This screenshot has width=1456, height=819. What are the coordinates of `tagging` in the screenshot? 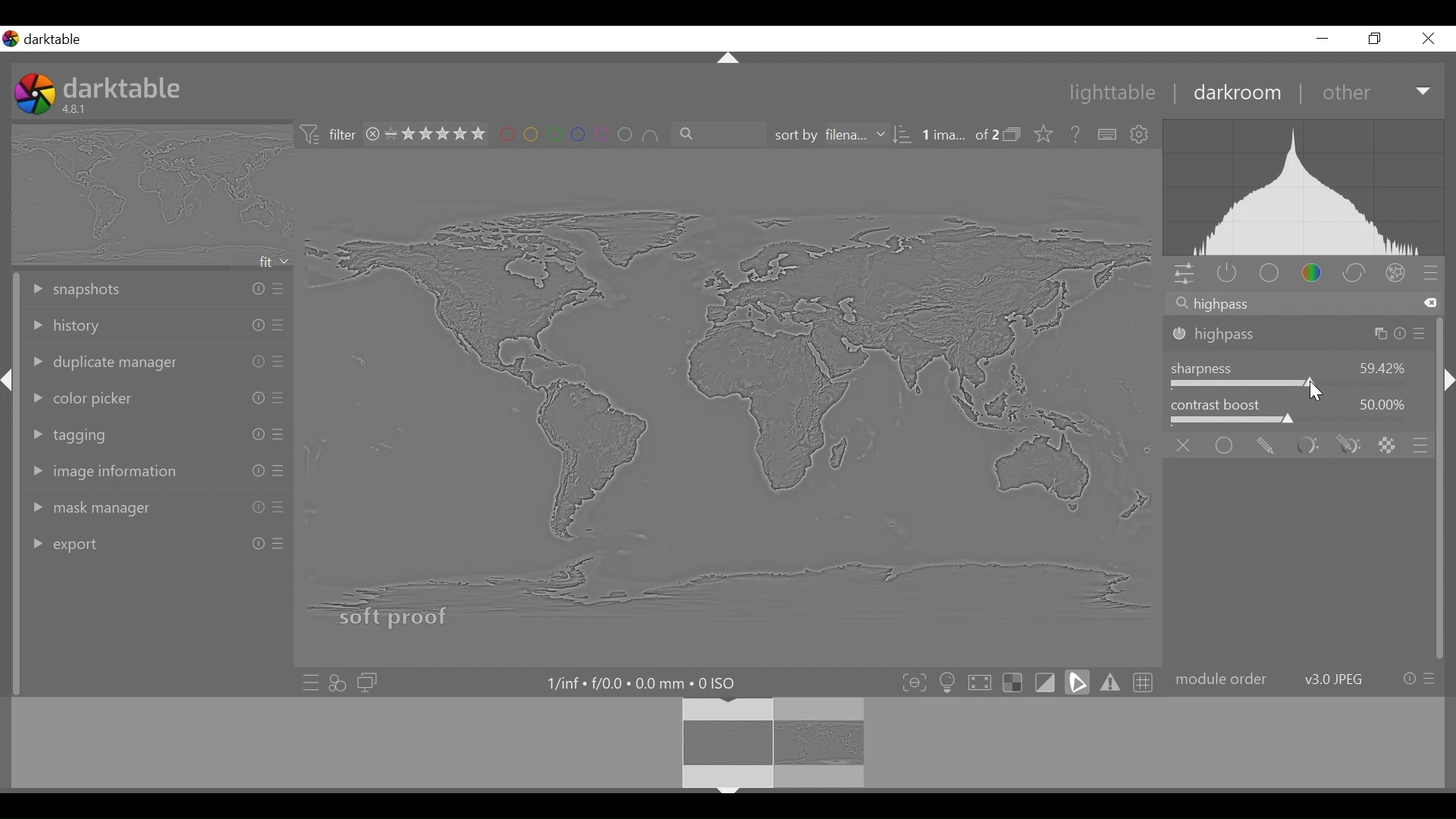 It's located at (157, 431).